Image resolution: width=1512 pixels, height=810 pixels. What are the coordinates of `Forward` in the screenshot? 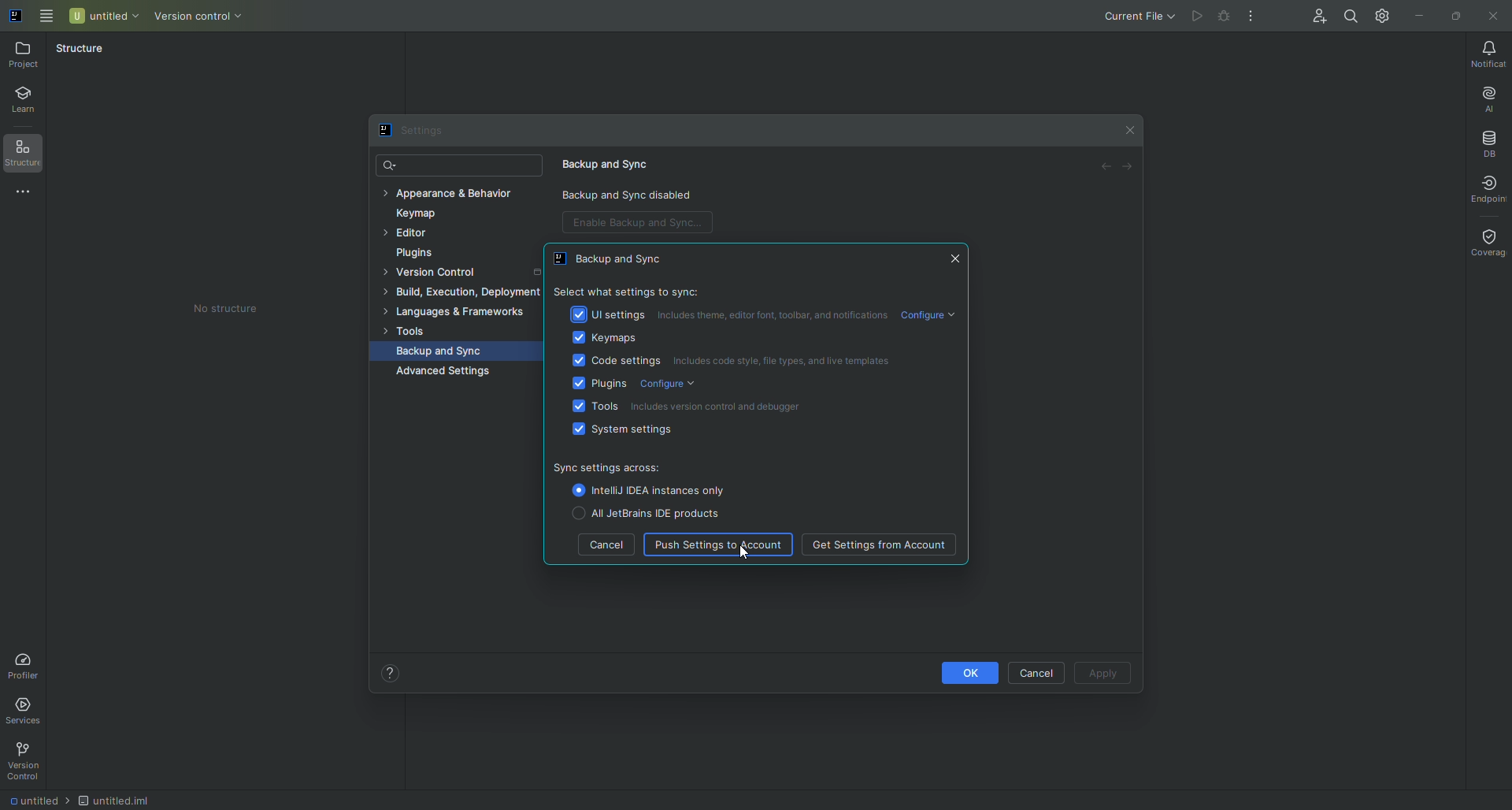 It's located at (1128, 169).